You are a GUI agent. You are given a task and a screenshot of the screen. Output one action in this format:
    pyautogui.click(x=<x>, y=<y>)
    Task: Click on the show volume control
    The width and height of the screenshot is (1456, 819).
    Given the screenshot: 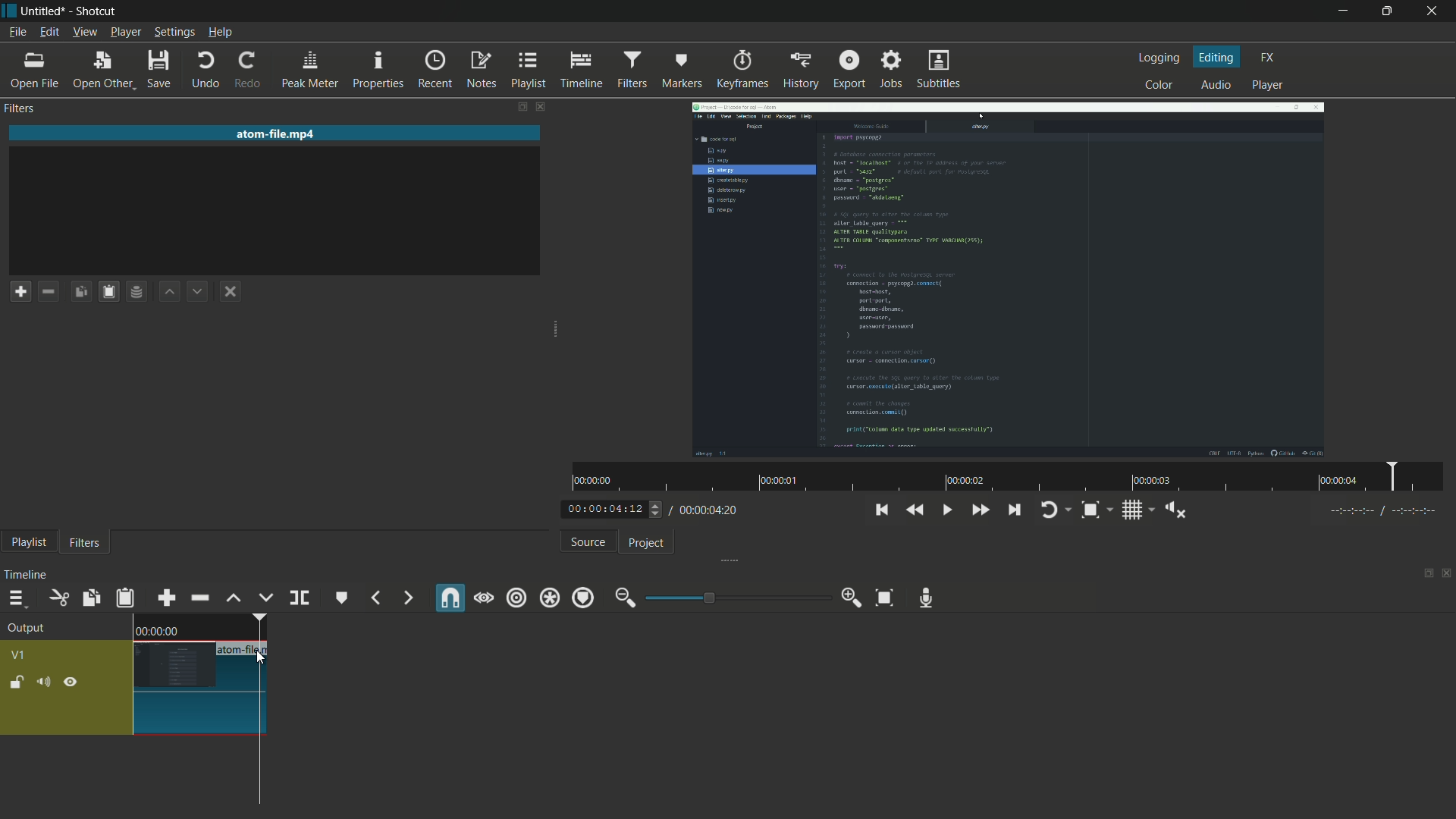 What is the action you would take?
    pyautogui.click(x=1176, y=510)
    